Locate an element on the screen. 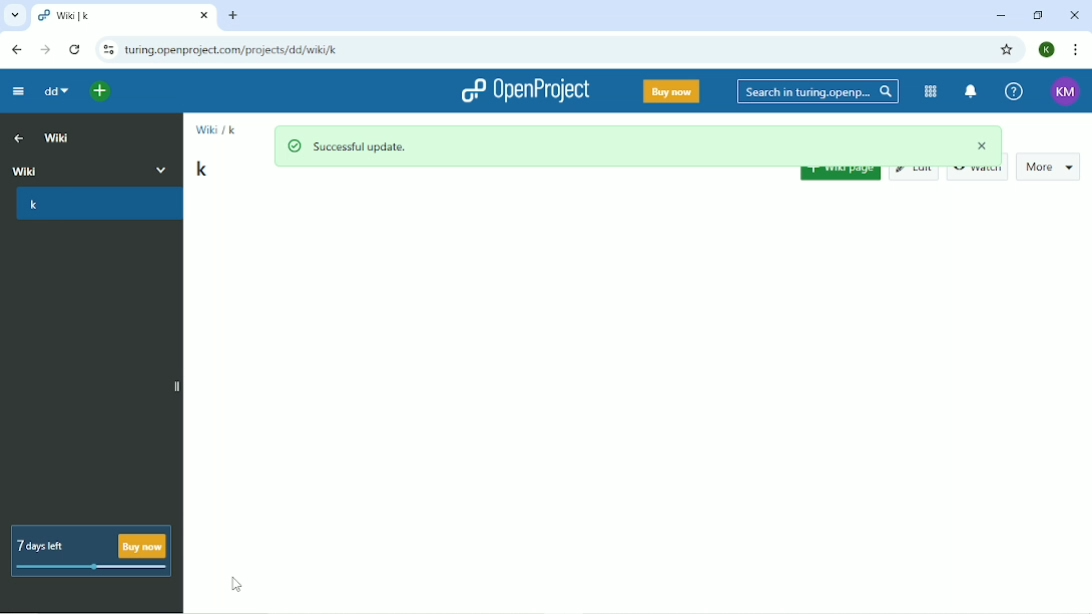 This screenshot has height=614, width=1092. Bookmark this tab is located at coordinates (1009, 50).